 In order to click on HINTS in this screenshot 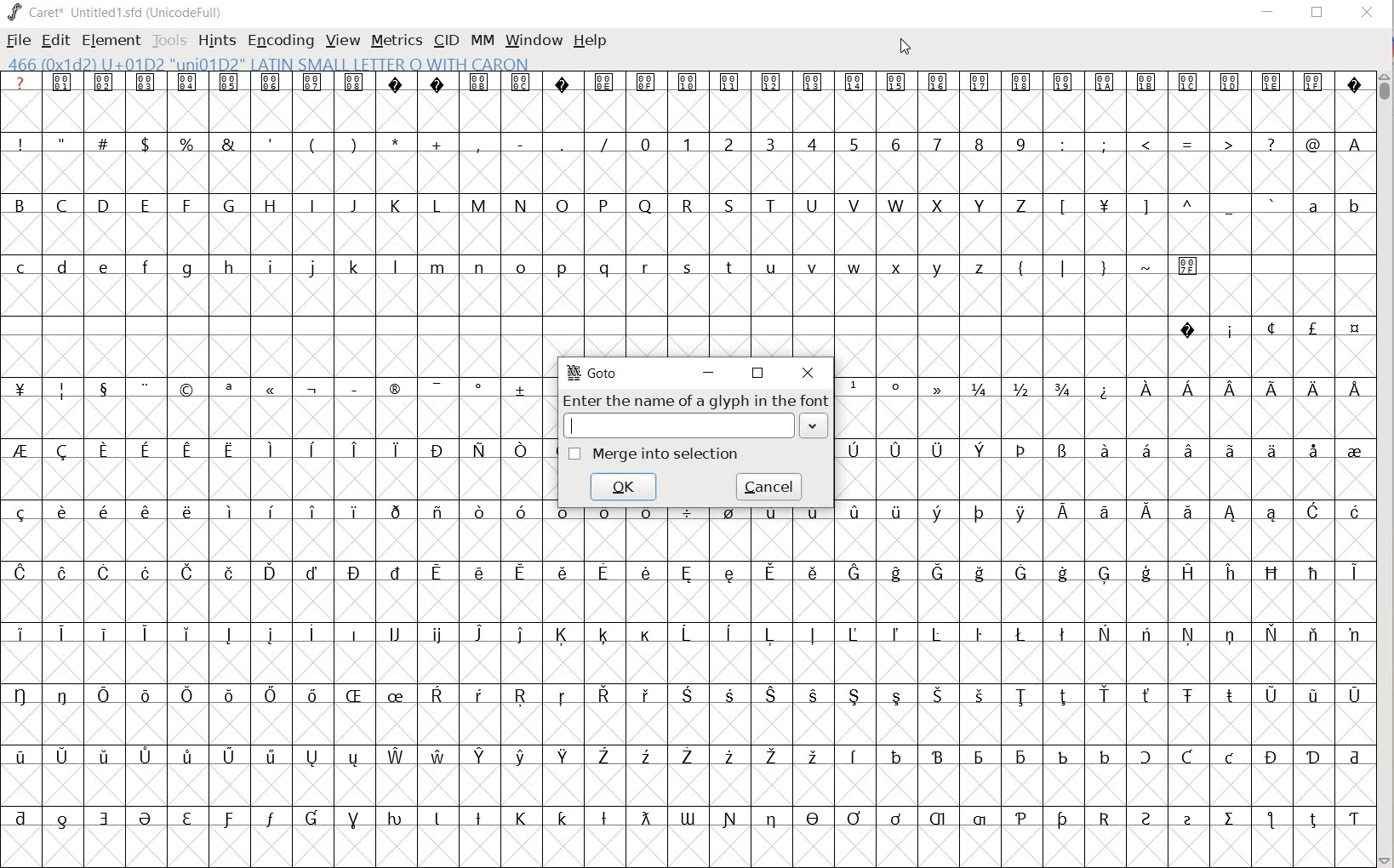, I will do `click(217, 40)`.